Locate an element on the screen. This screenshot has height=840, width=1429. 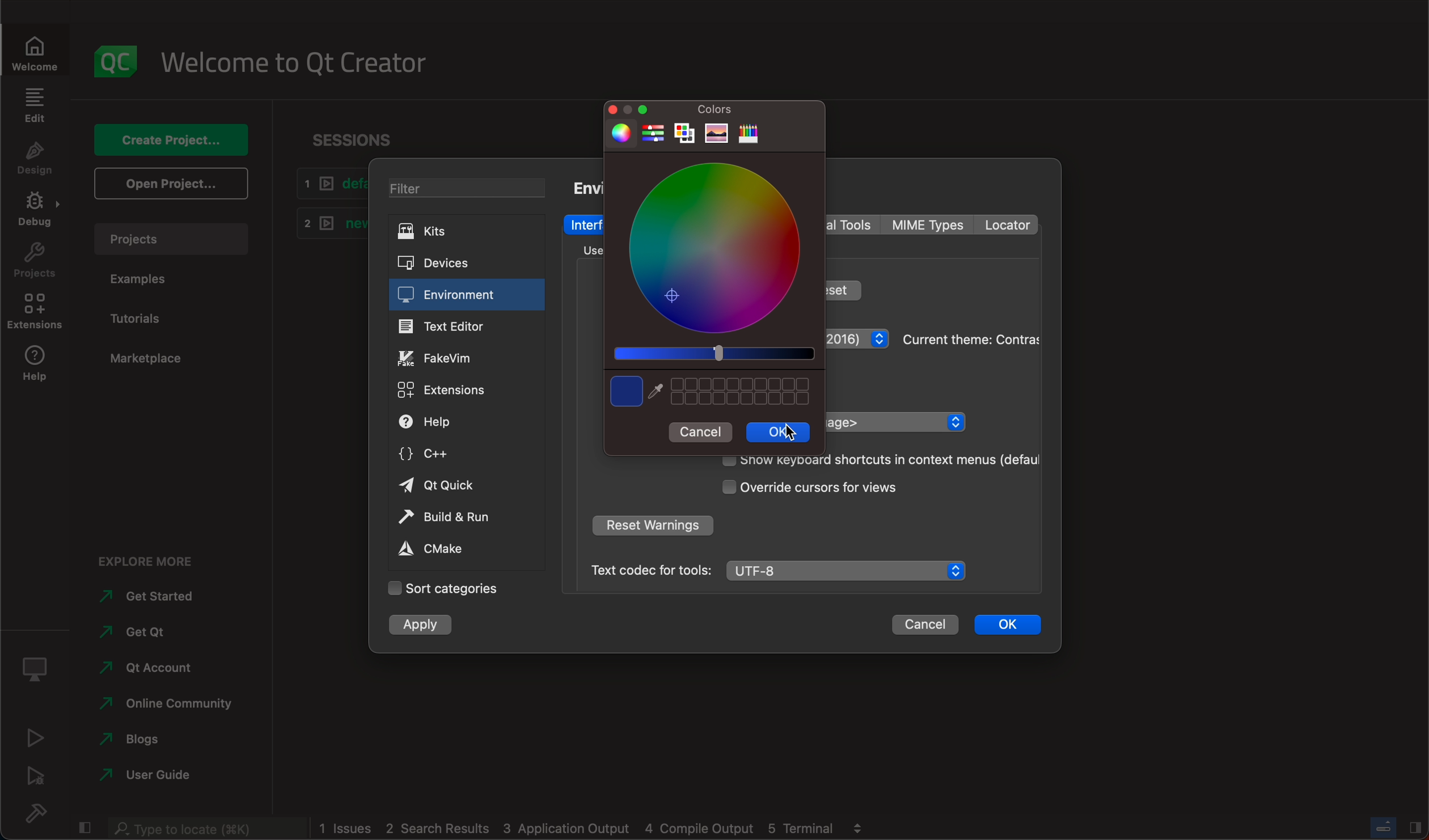
RGB is located at coordinates (653, 134).